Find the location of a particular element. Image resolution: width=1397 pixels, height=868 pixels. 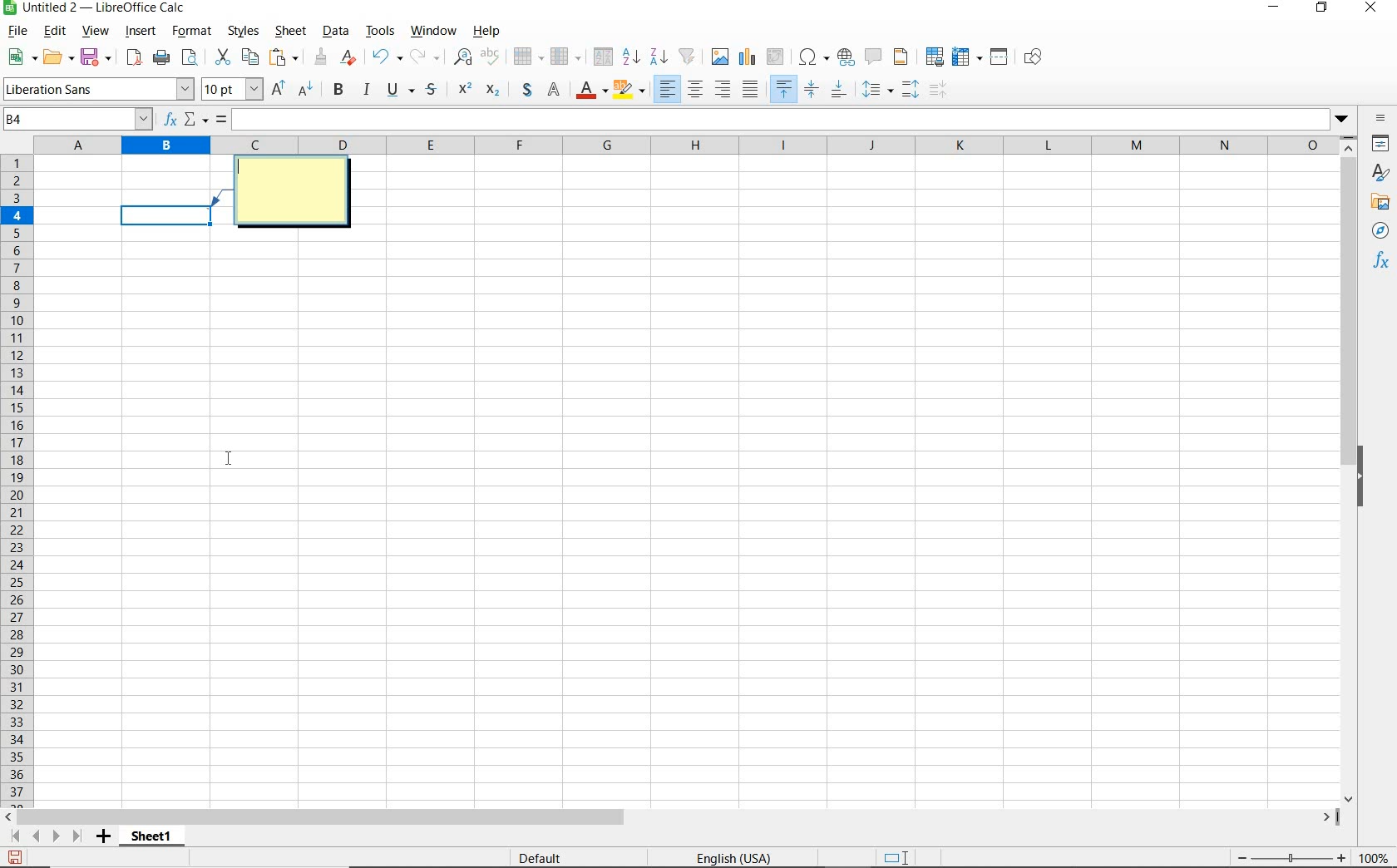

clone formatting is located at coordinates (323, 57).